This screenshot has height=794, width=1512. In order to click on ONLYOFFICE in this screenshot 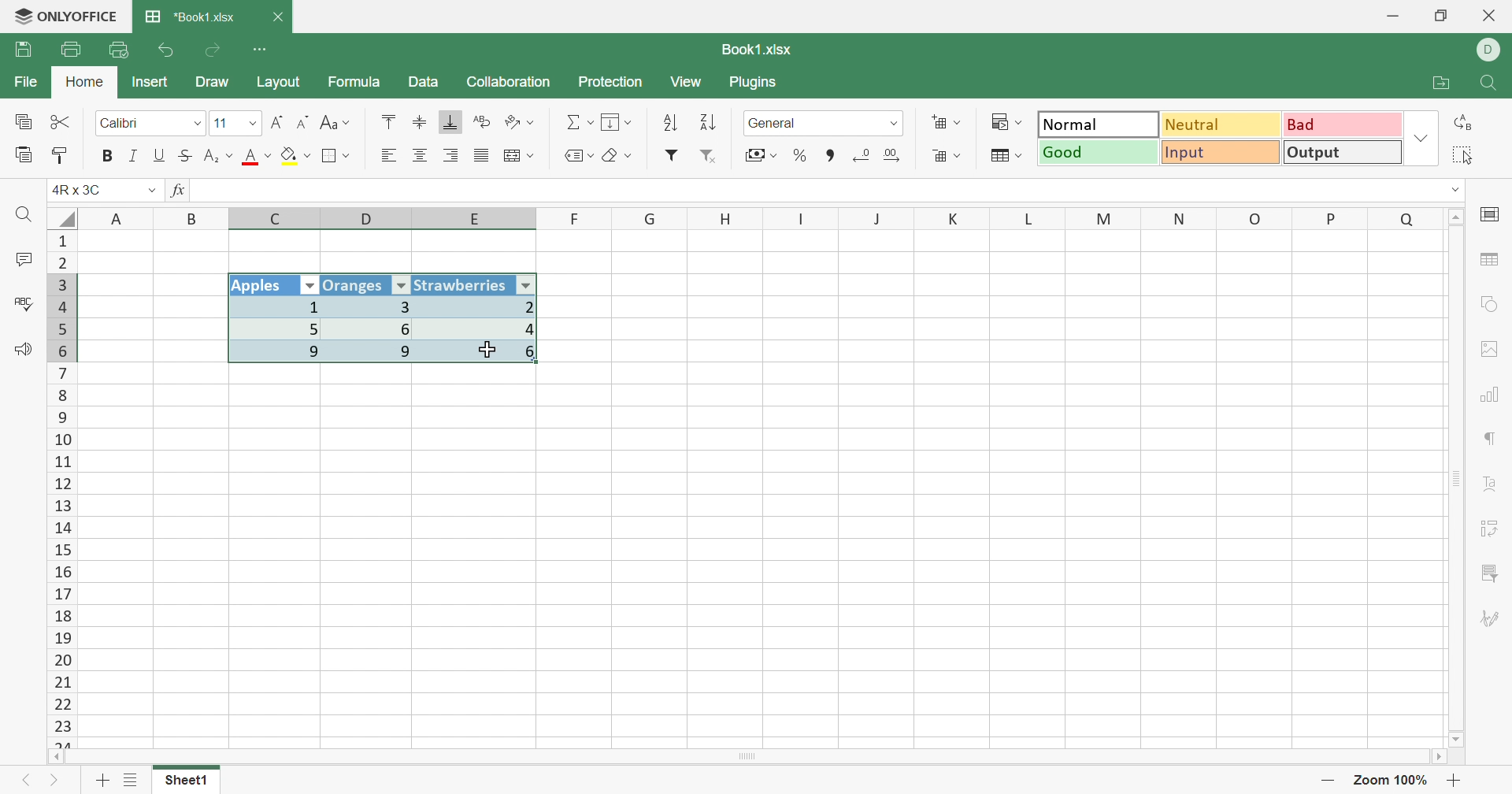, I will do `click(65, 17)`.